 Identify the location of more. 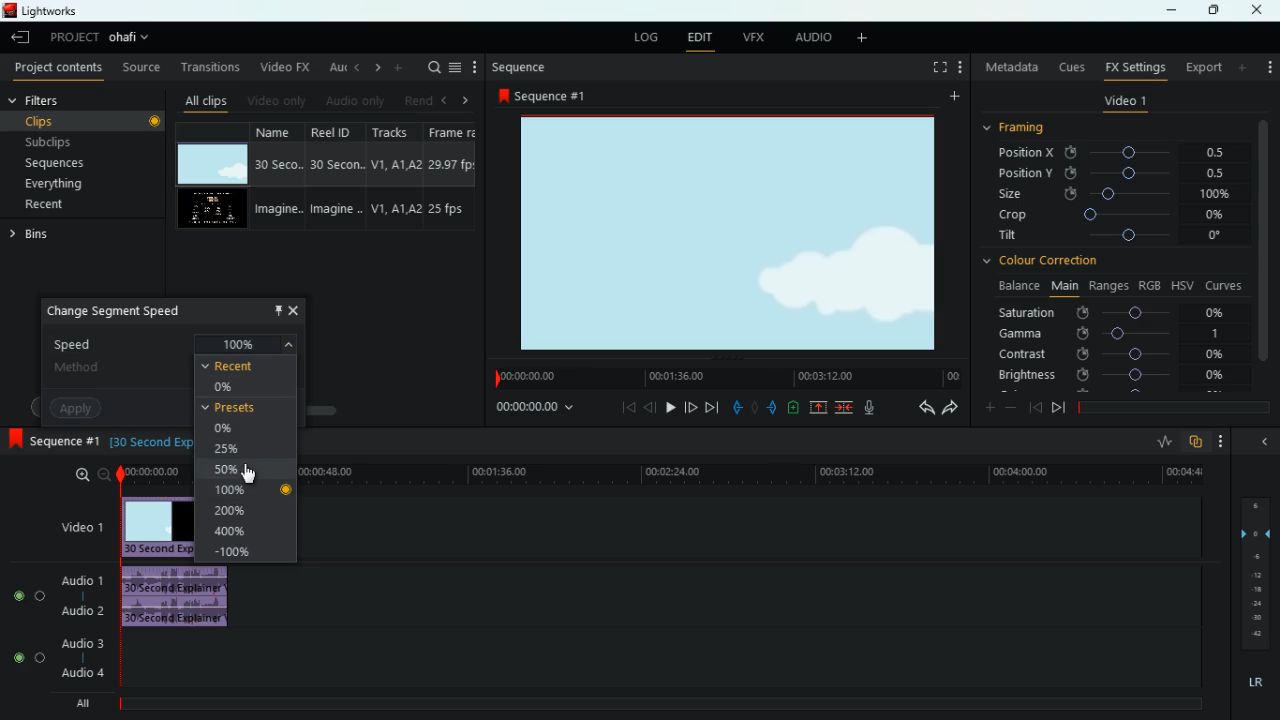
(866, 39).